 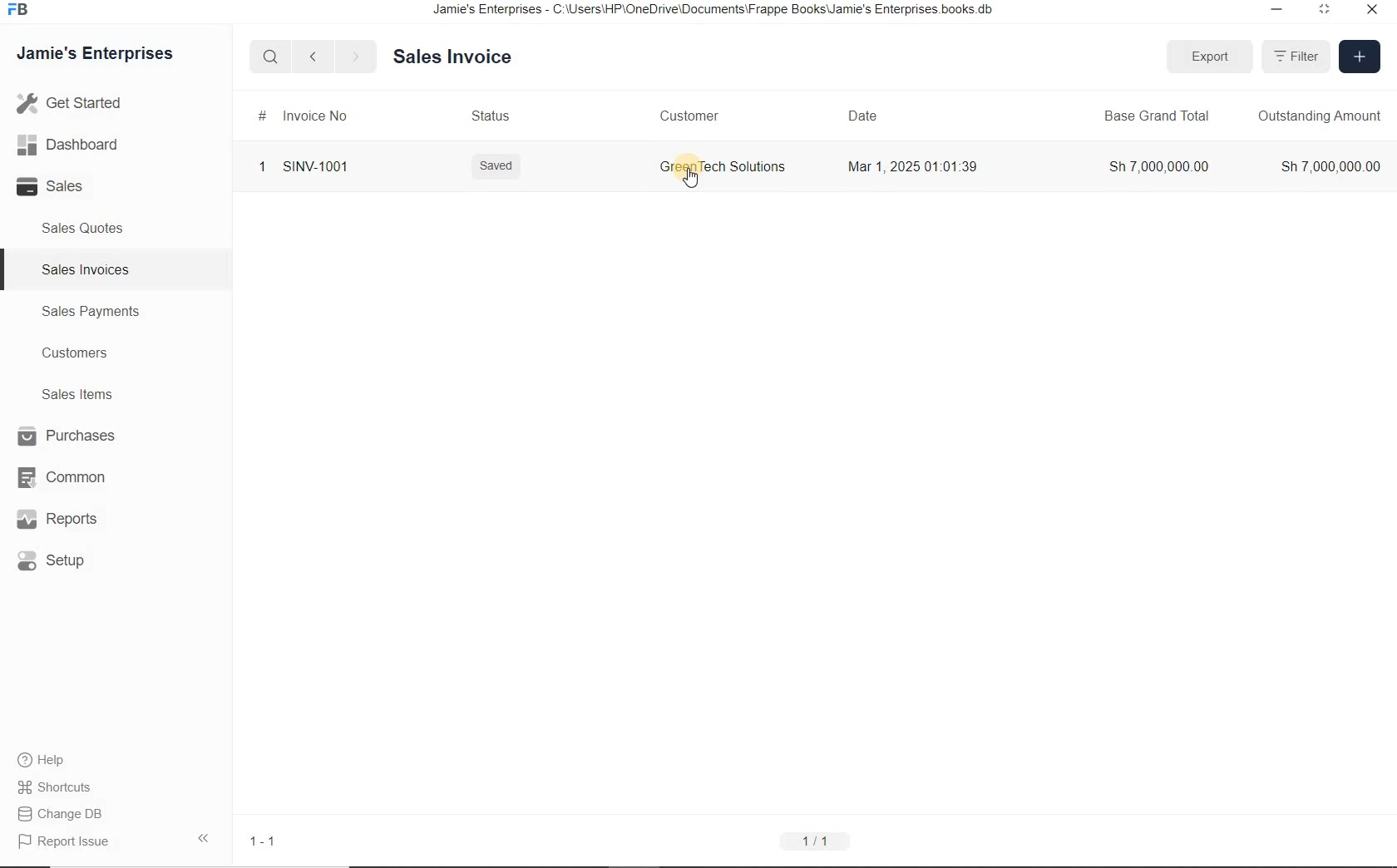 I want to click on 1/1, so click(x=817, y=843).